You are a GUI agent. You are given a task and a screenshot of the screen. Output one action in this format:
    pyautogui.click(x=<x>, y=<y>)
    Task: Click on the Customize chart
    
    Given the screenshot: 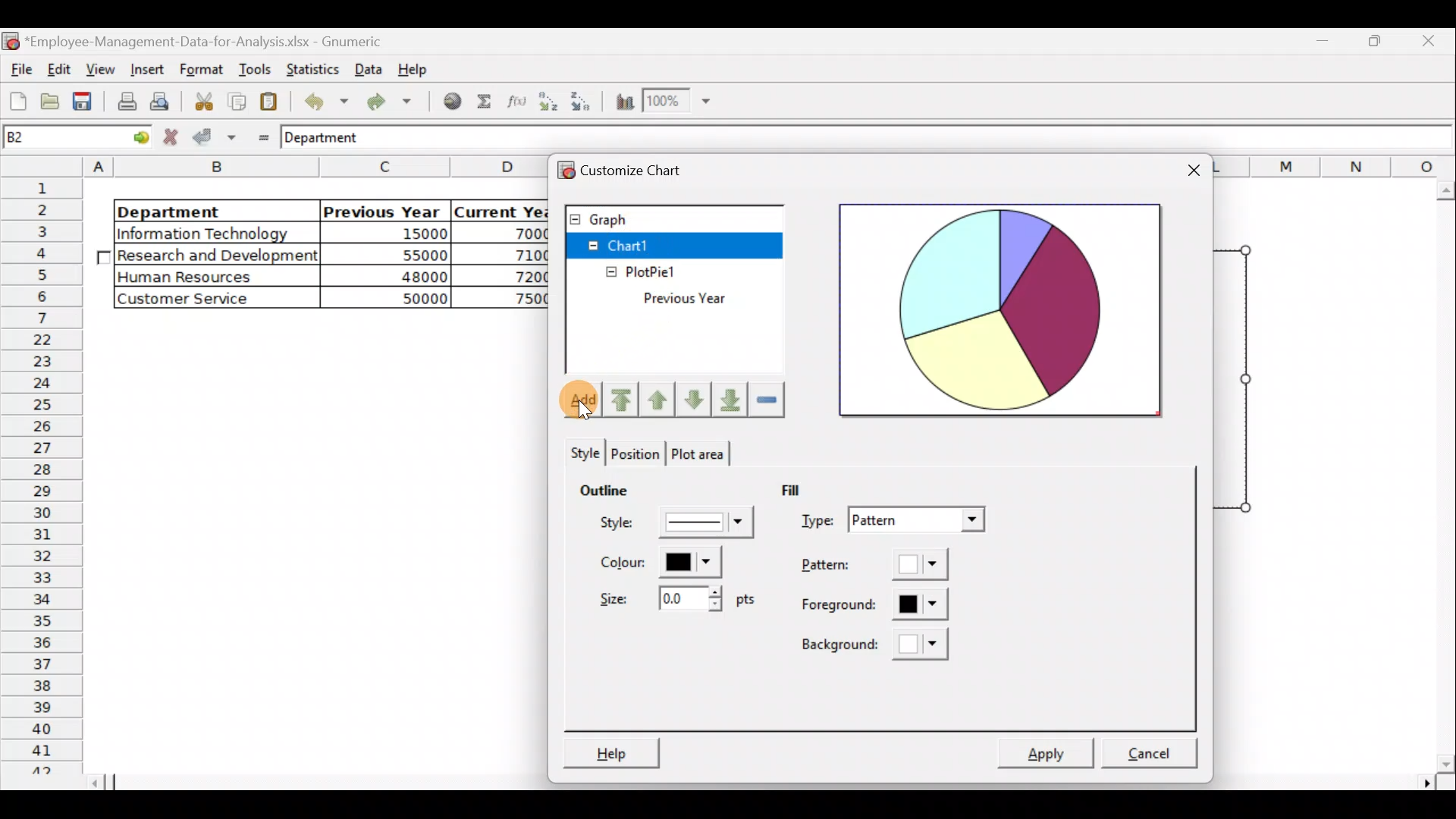 What is the action you would take?
    pyautogui.click(x=651, y=171)
    